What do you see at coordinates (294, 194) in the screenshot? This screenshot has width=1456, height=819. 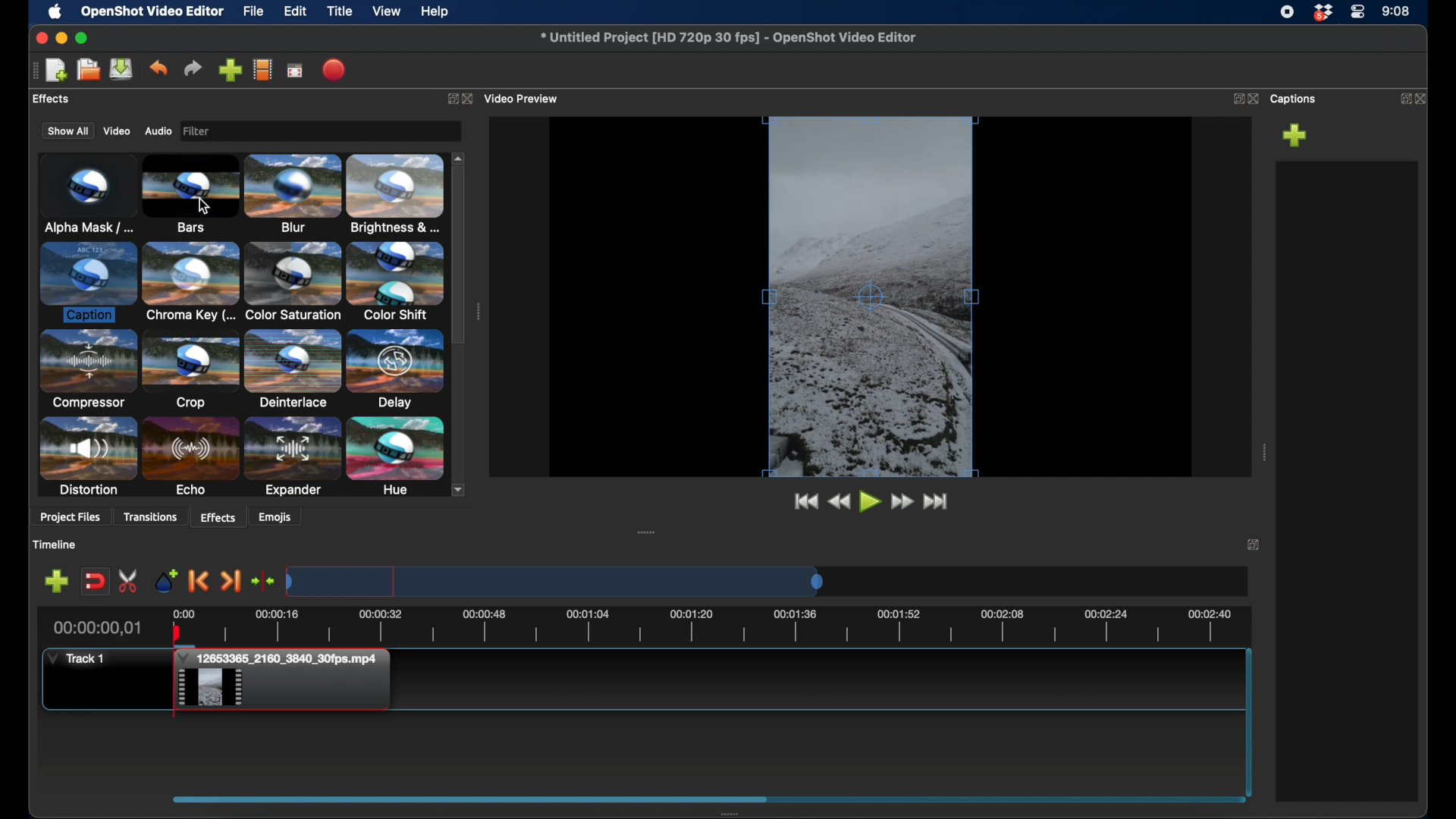 I see `blur` at bounding box center [294, 194].